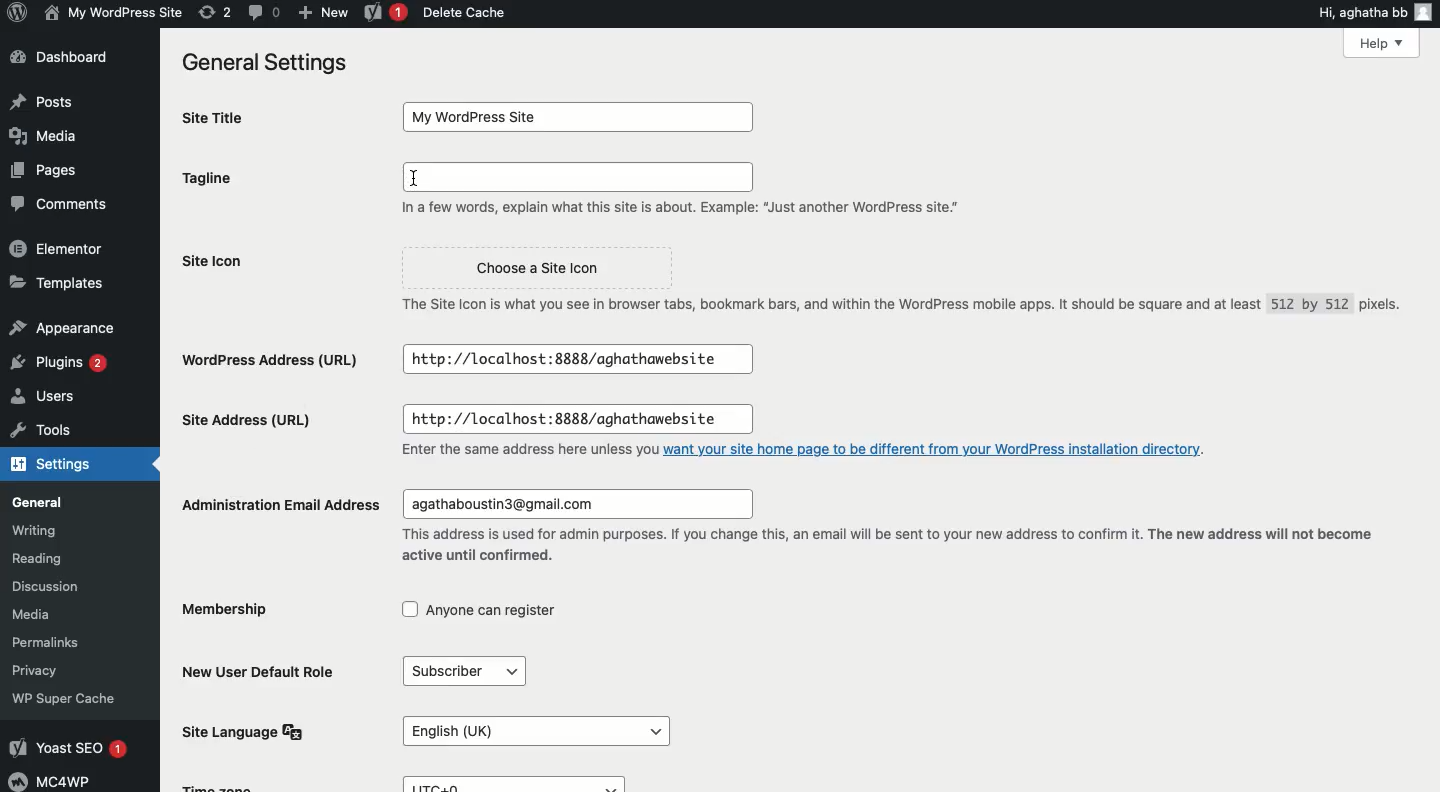 The image size is (1440, 792). I want to click on want your site home page to be different from your WordPress installation directory., so click(939, 448).